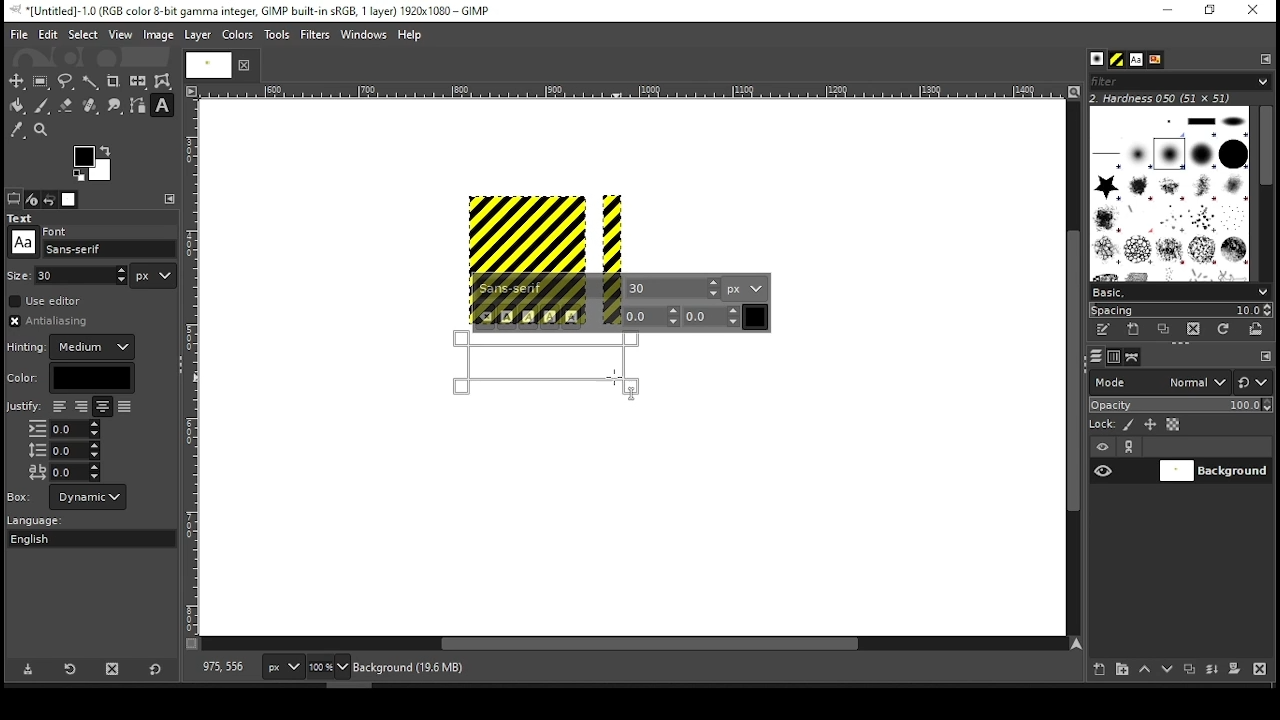 Image resolution: width=1280 pixels, height=720 pixels. Describe the element at coordinates (1169, 329) in the screenshot. I see `duplicate this brush` at that location.